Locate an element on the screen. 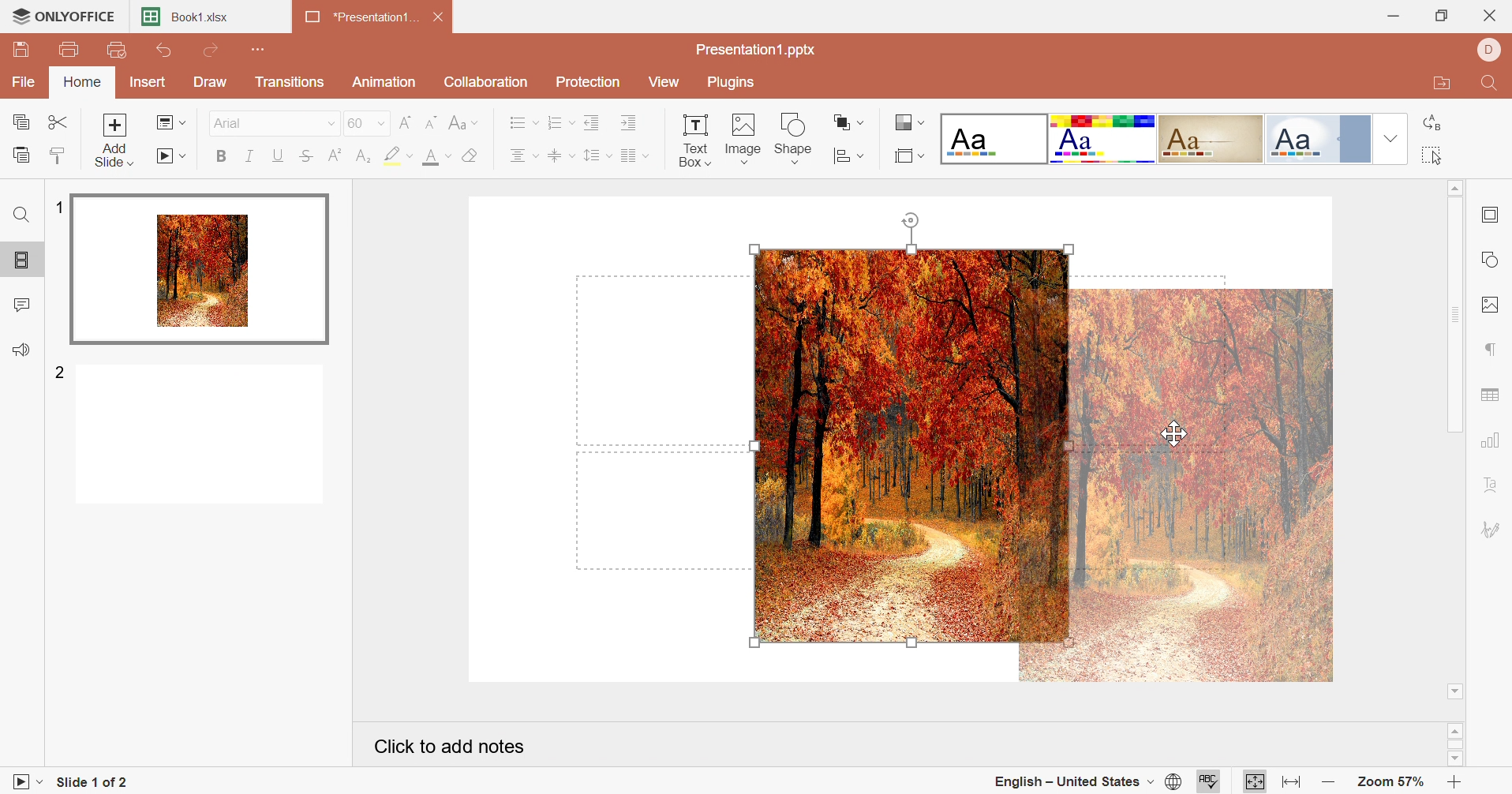 The width and height of the screenshot is (1512, 794). Shape is located at coordinates (796, 137).